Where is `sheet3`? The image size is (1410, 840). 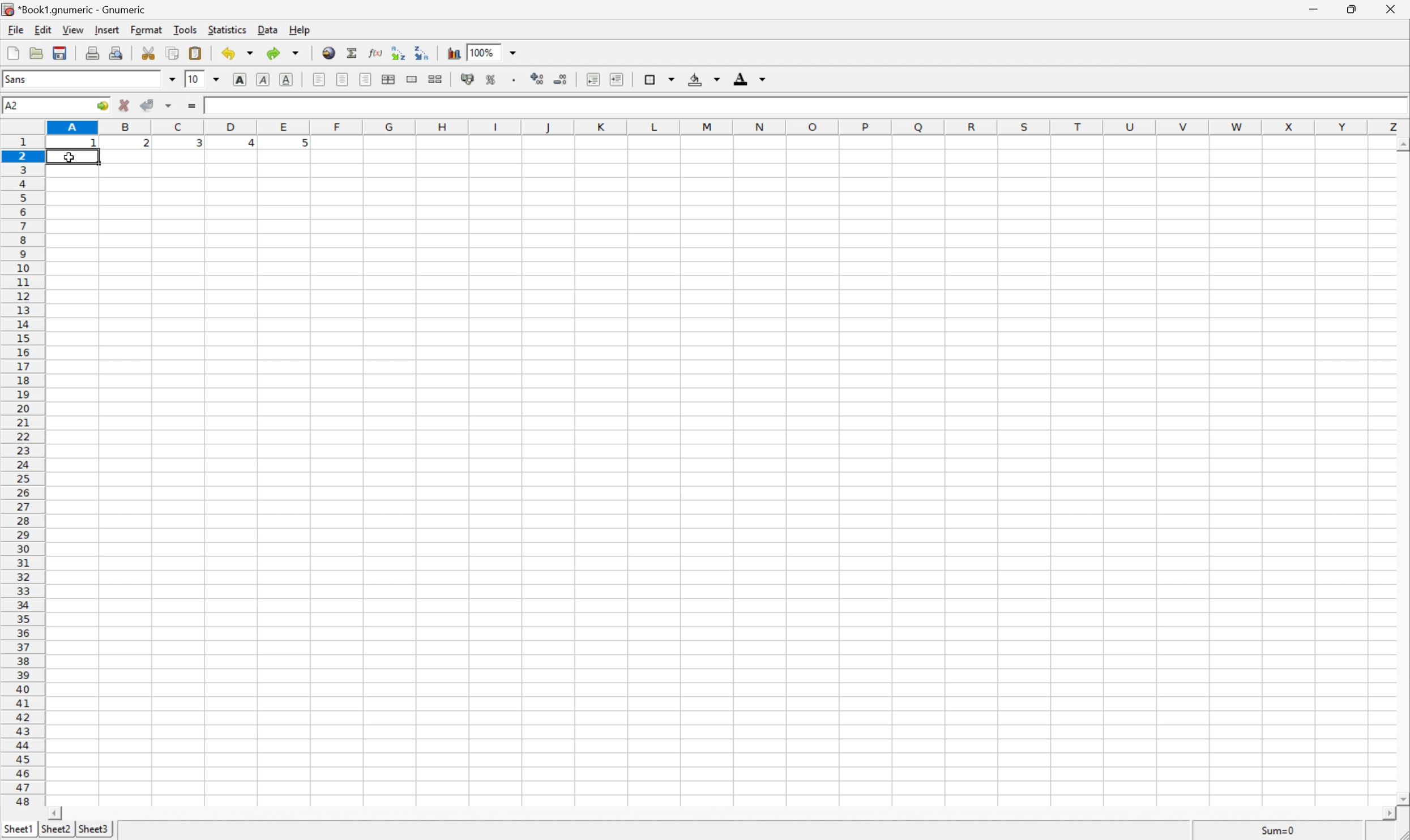
sheet3 is located at coordinates (93, 832).